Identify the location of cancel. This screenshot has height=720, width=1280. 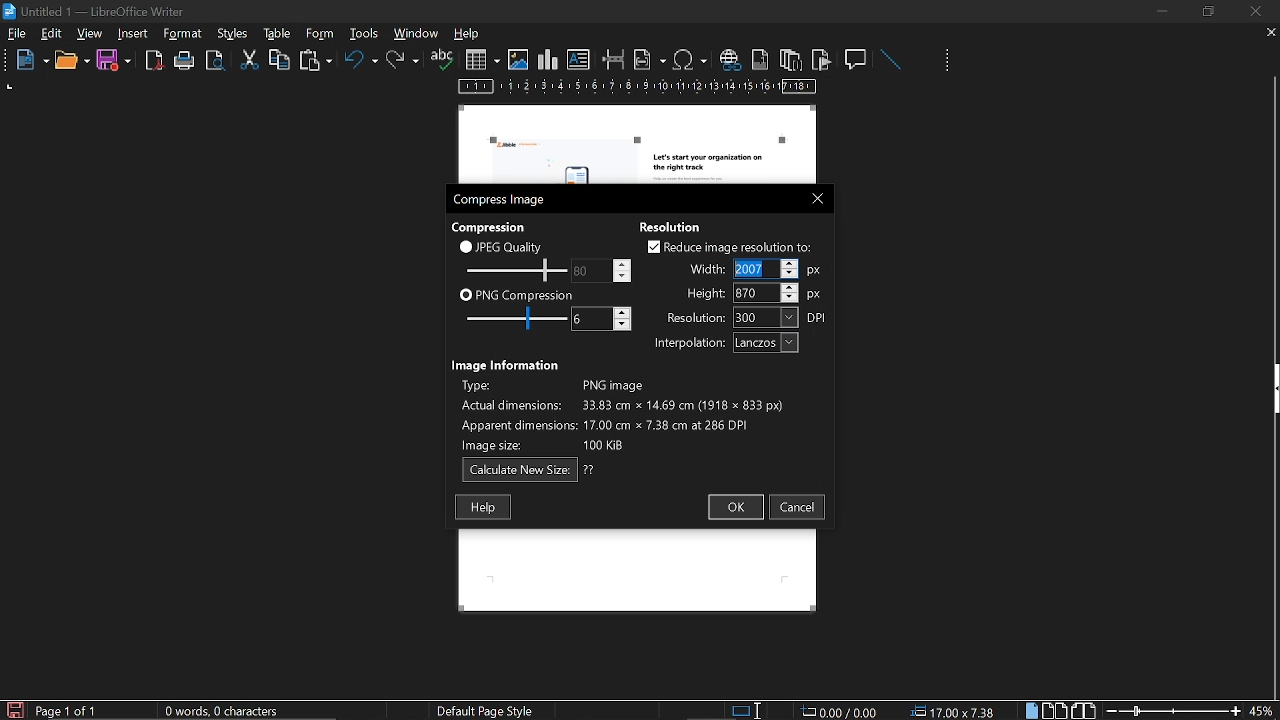
(798, 507).